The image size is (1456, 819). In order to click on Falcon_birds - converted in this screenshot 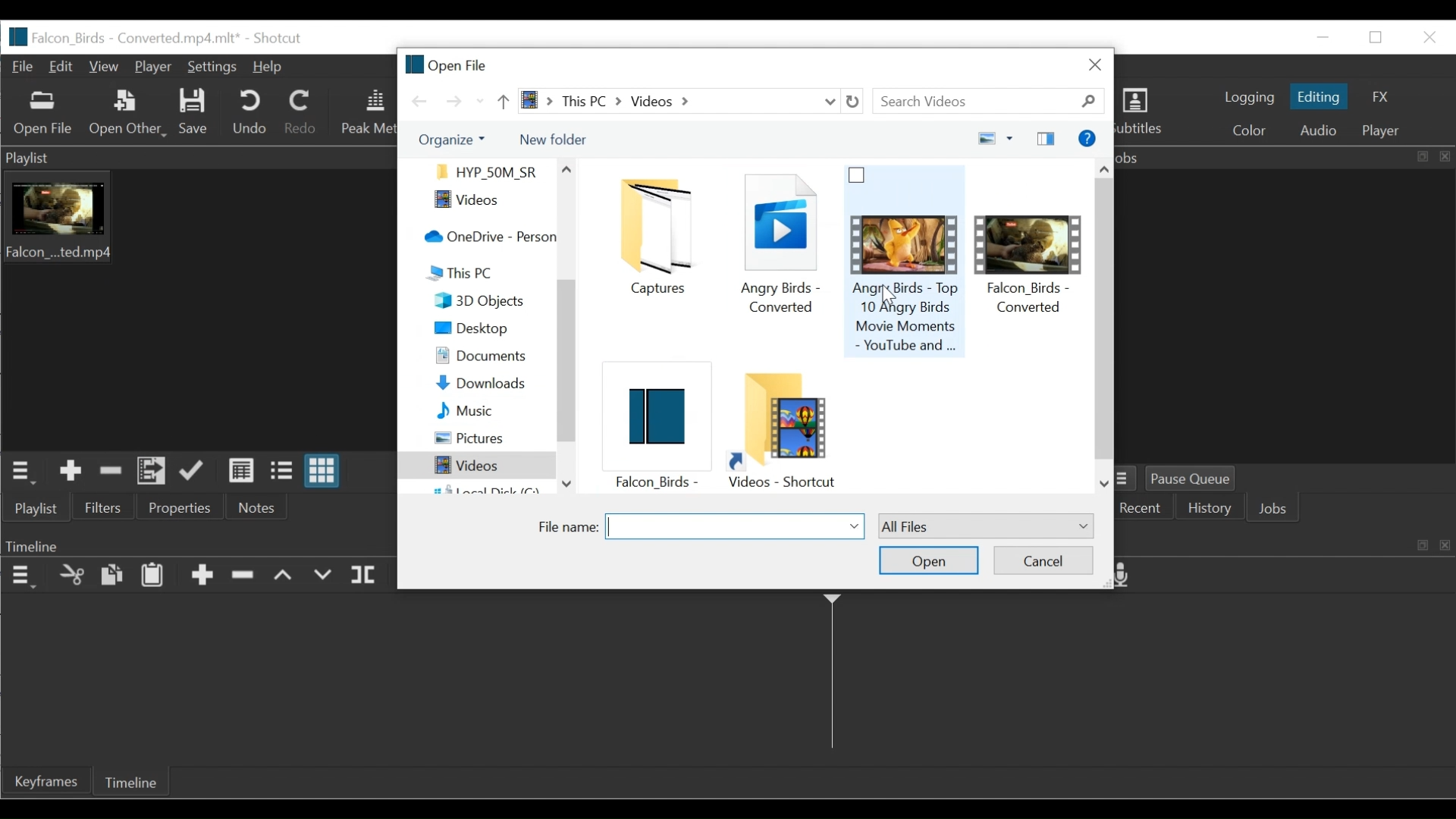, I will do `click(1031, 254)`.